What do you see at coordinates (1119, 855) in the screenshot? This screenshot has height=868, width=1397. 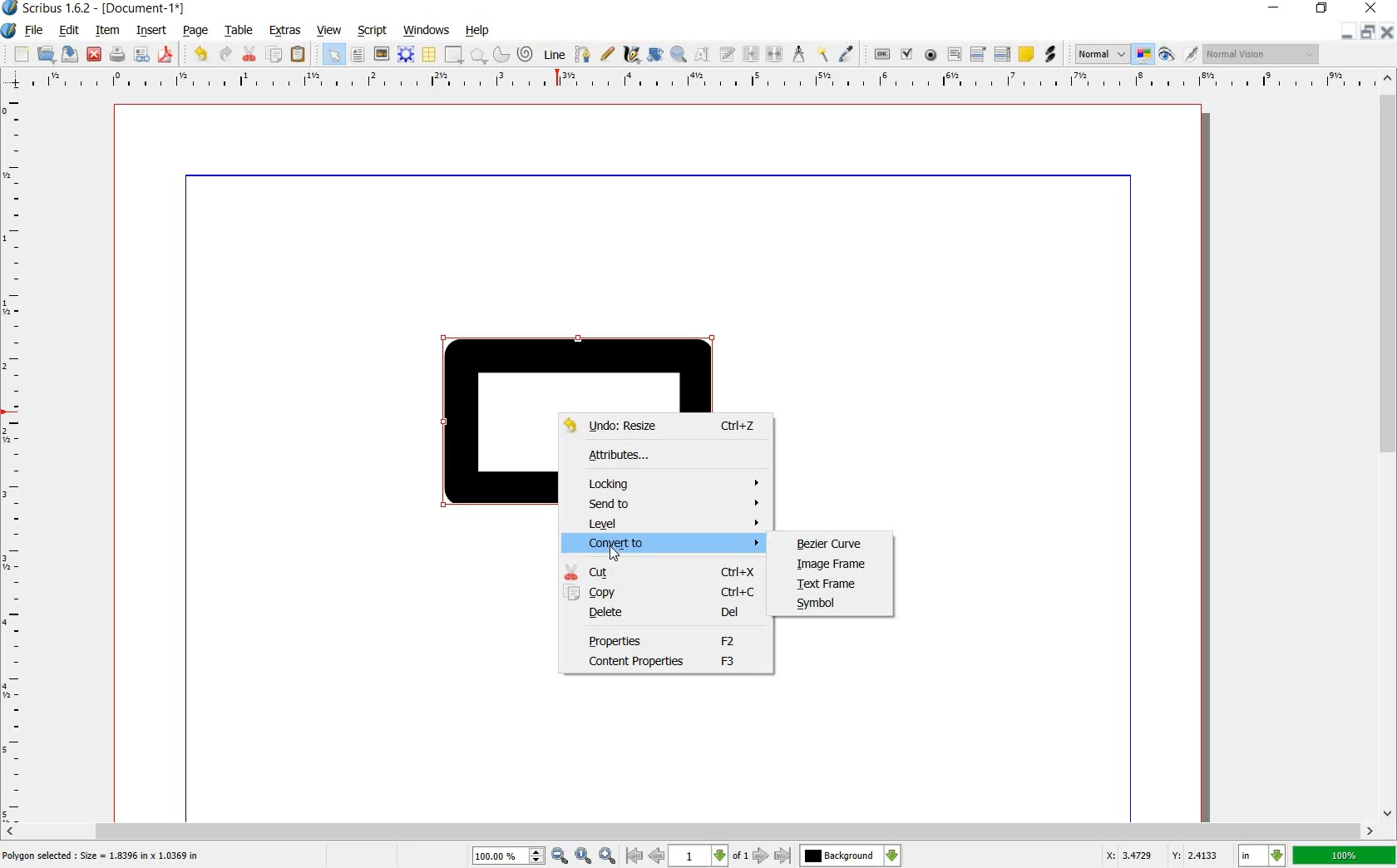 I see `coordinates x: 3.4729` at bounding box center [1119, 855].